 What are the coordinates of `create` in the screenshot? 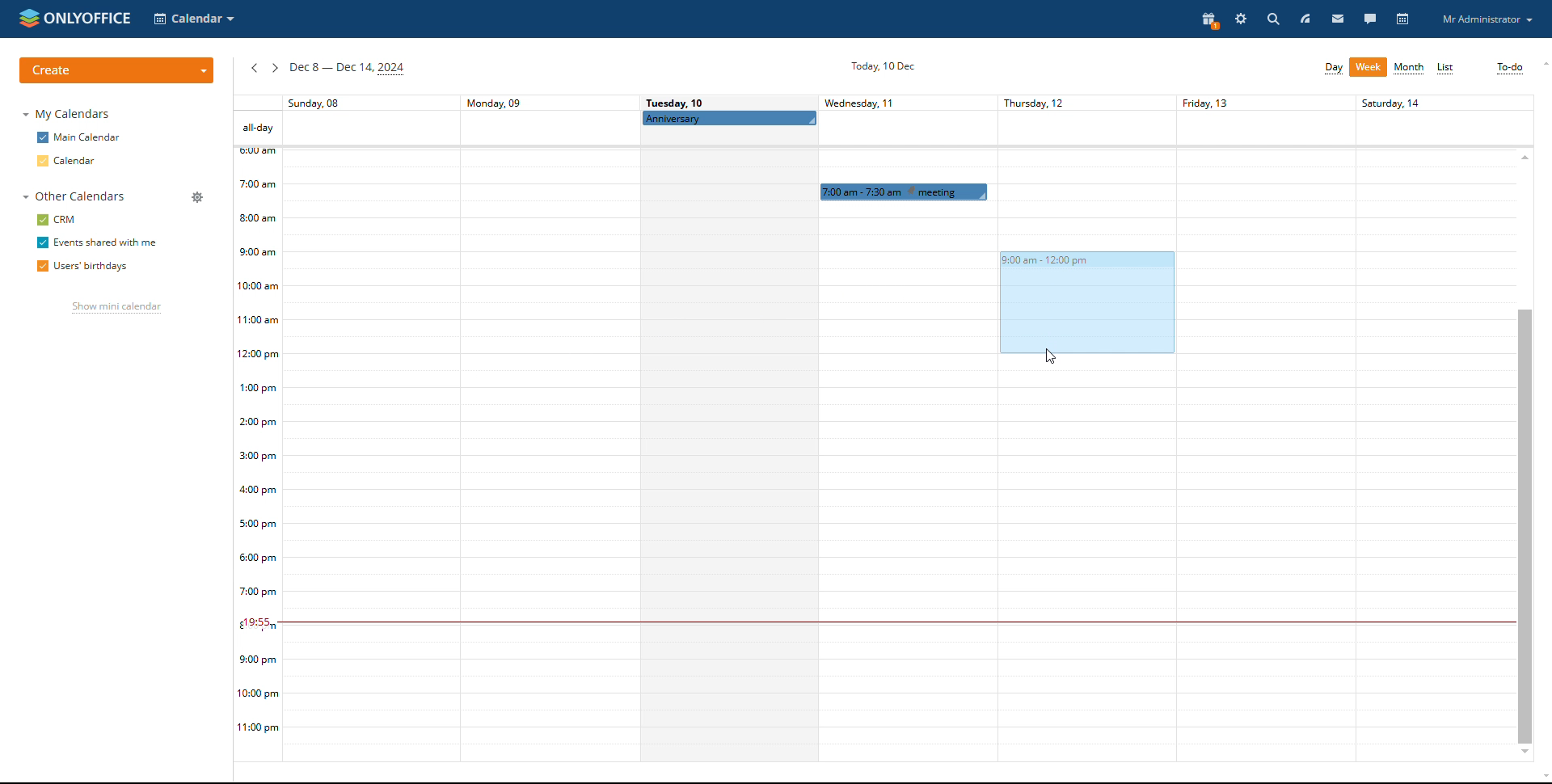 It's located at (116, 70).